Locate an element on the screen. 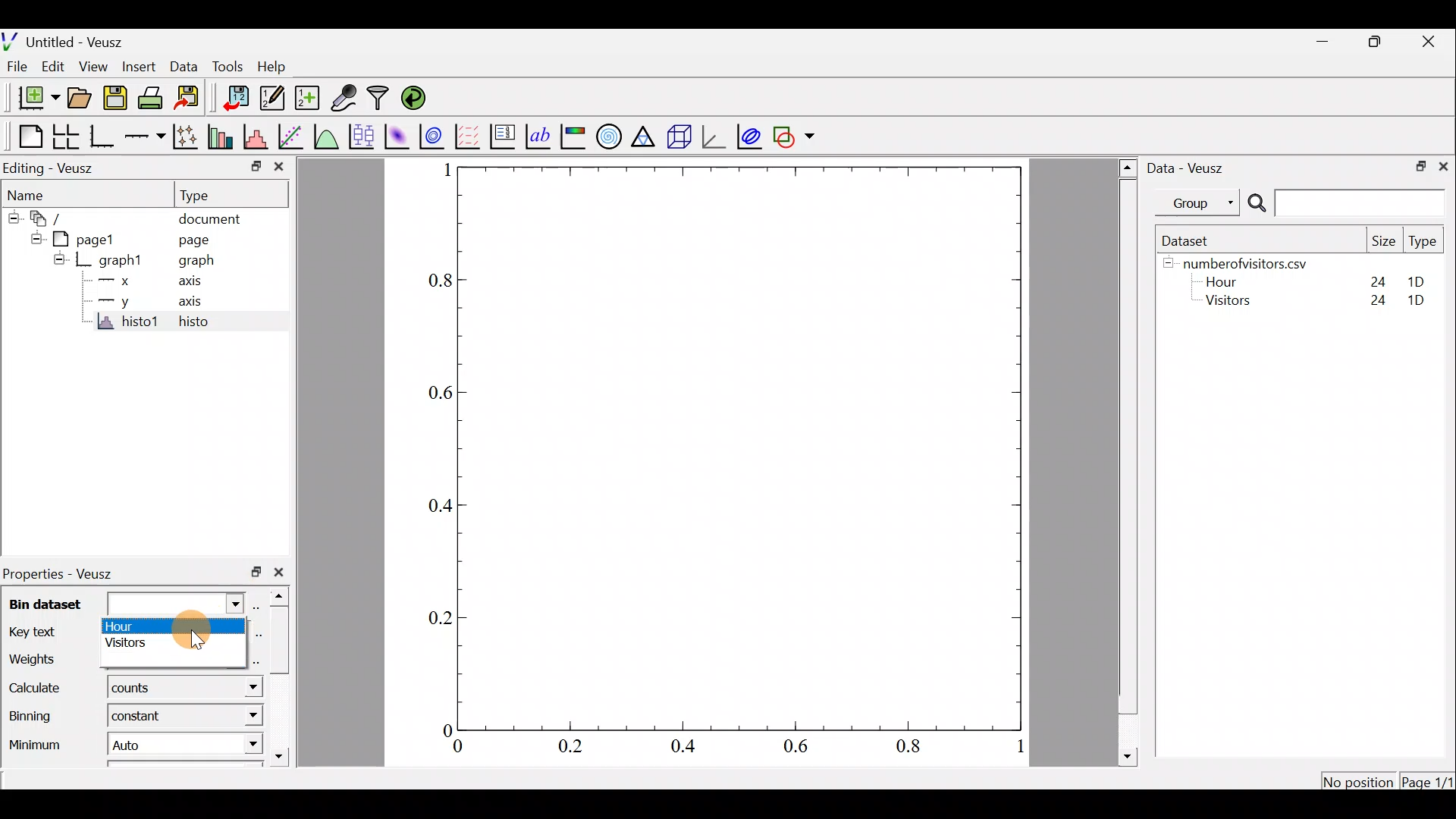 This screenshot has width=1456, height=819. Tools is located at coordinates (231, 67).